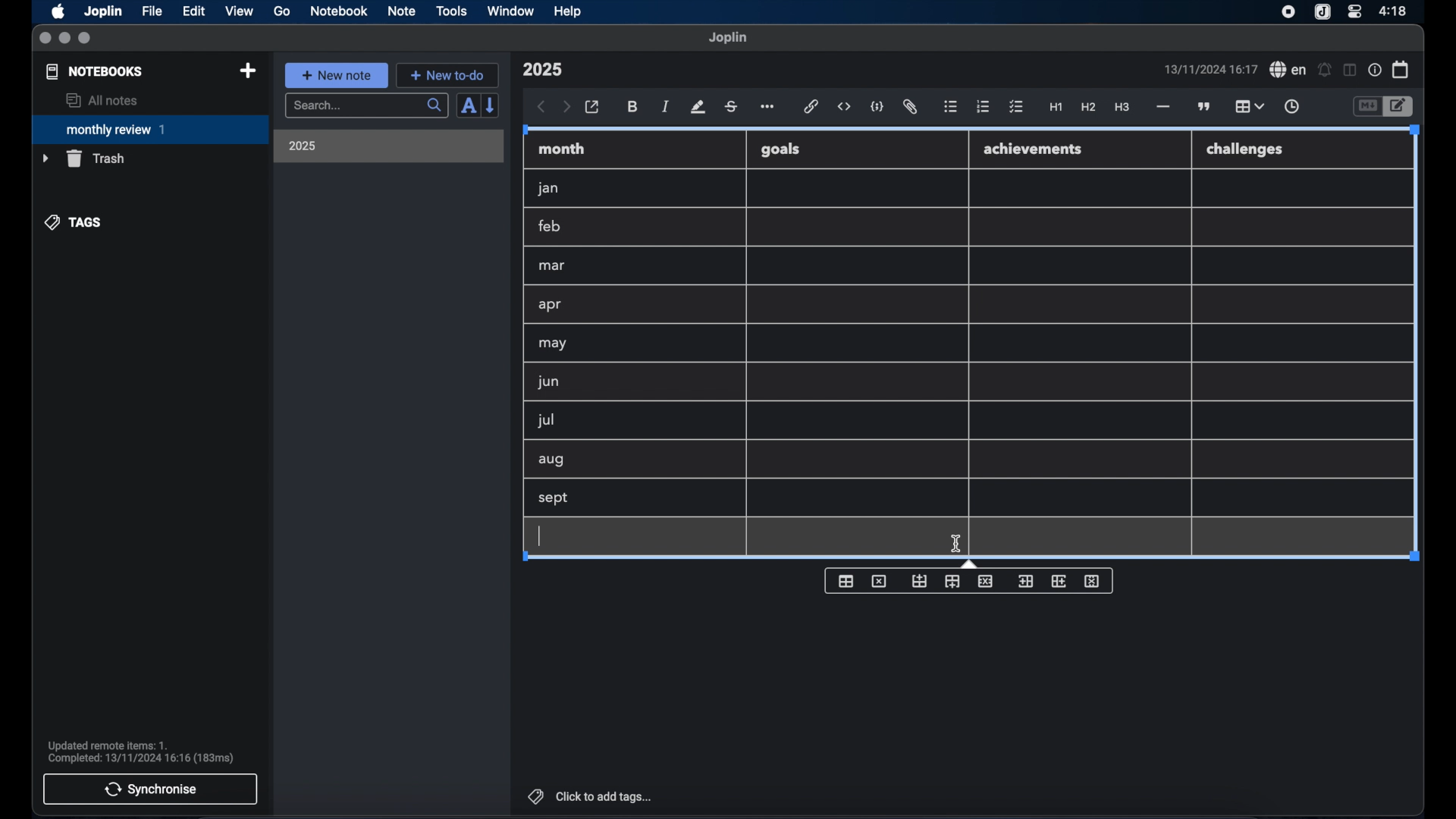 Image resolution: width=1456 pixels, height=819 pixels. What do you see at coordinates (1325, 71) in the screenshot?
I see `set alarm` at bounding box center [1325, 71].